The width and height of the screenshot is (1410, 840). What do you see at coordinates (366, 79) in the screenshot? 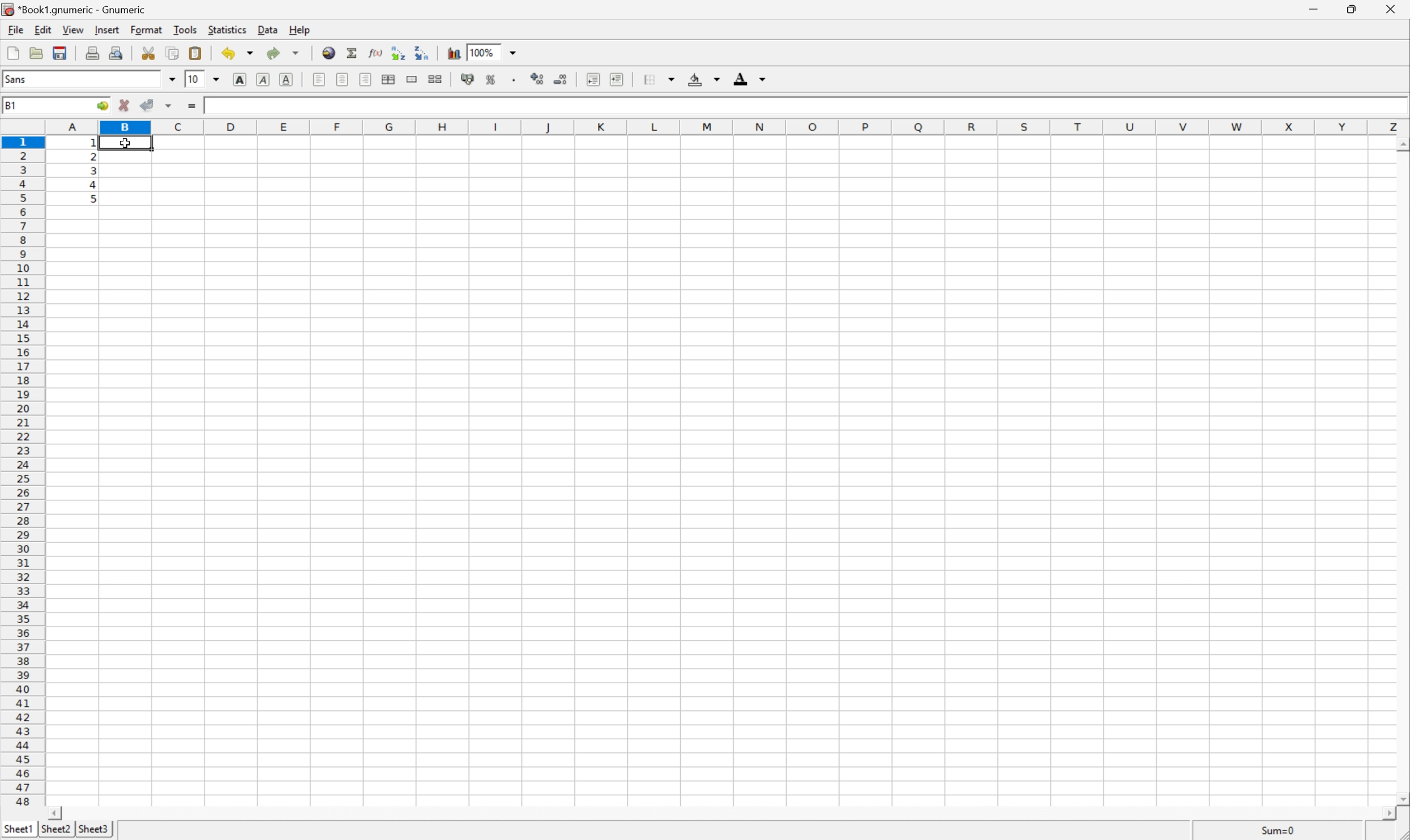
I see `Align Right` at bounding box center [366, 79].